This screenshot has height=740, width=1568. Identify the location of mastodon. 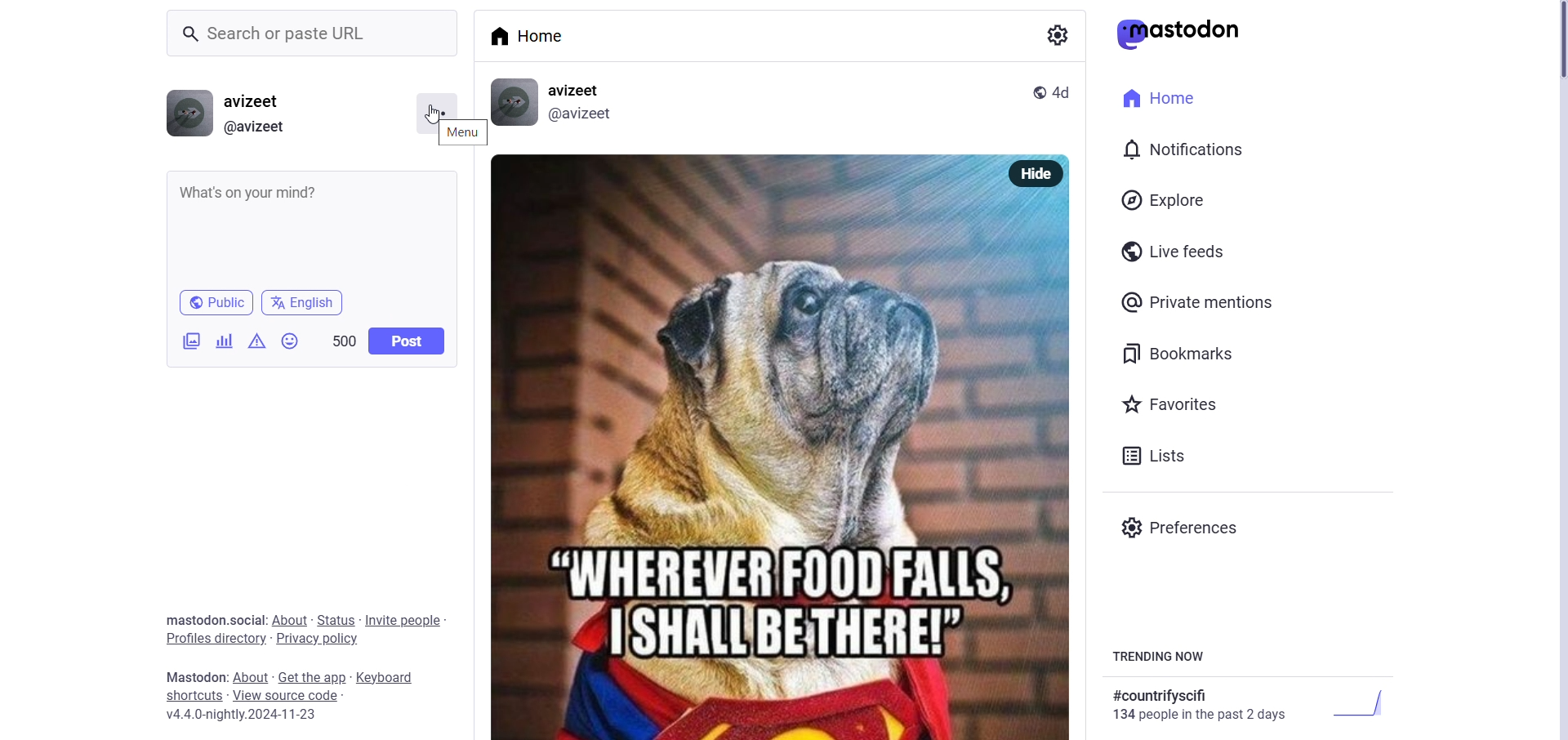
(189, 619).